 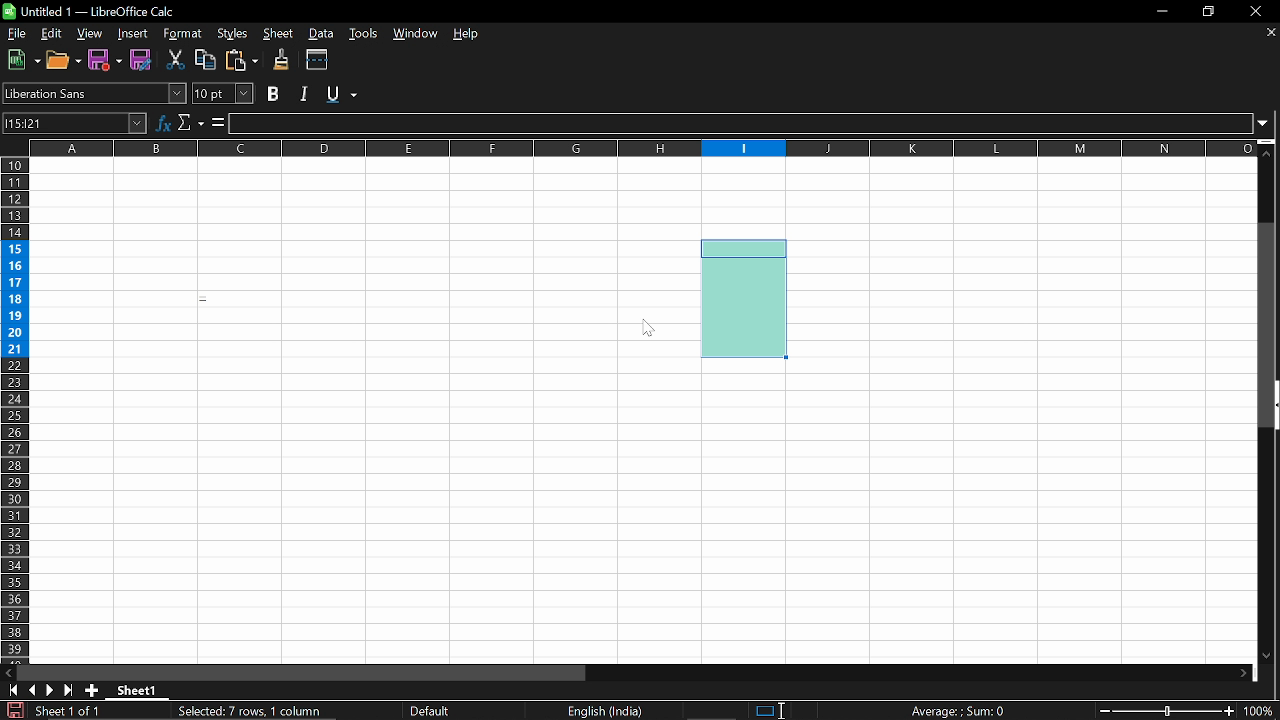 What do you see at coordinates (1170, 712) in the screenshot?
I see `Change zoom` at bounding box center [1170, 712].